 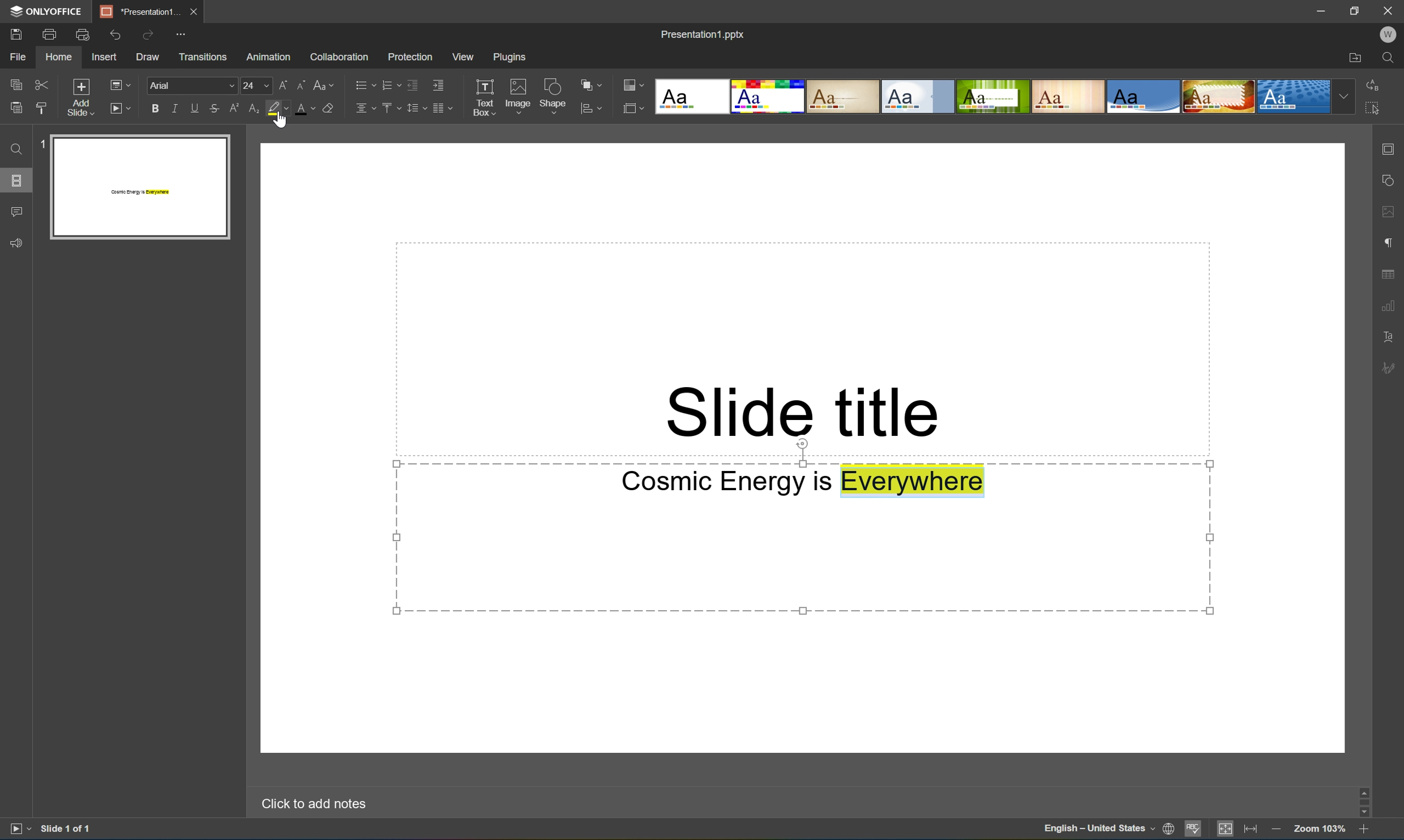 What do you see at coordinates (1388, 369) in the screenshot?
I see `Signature settings` at bounding box center [1388, 369].